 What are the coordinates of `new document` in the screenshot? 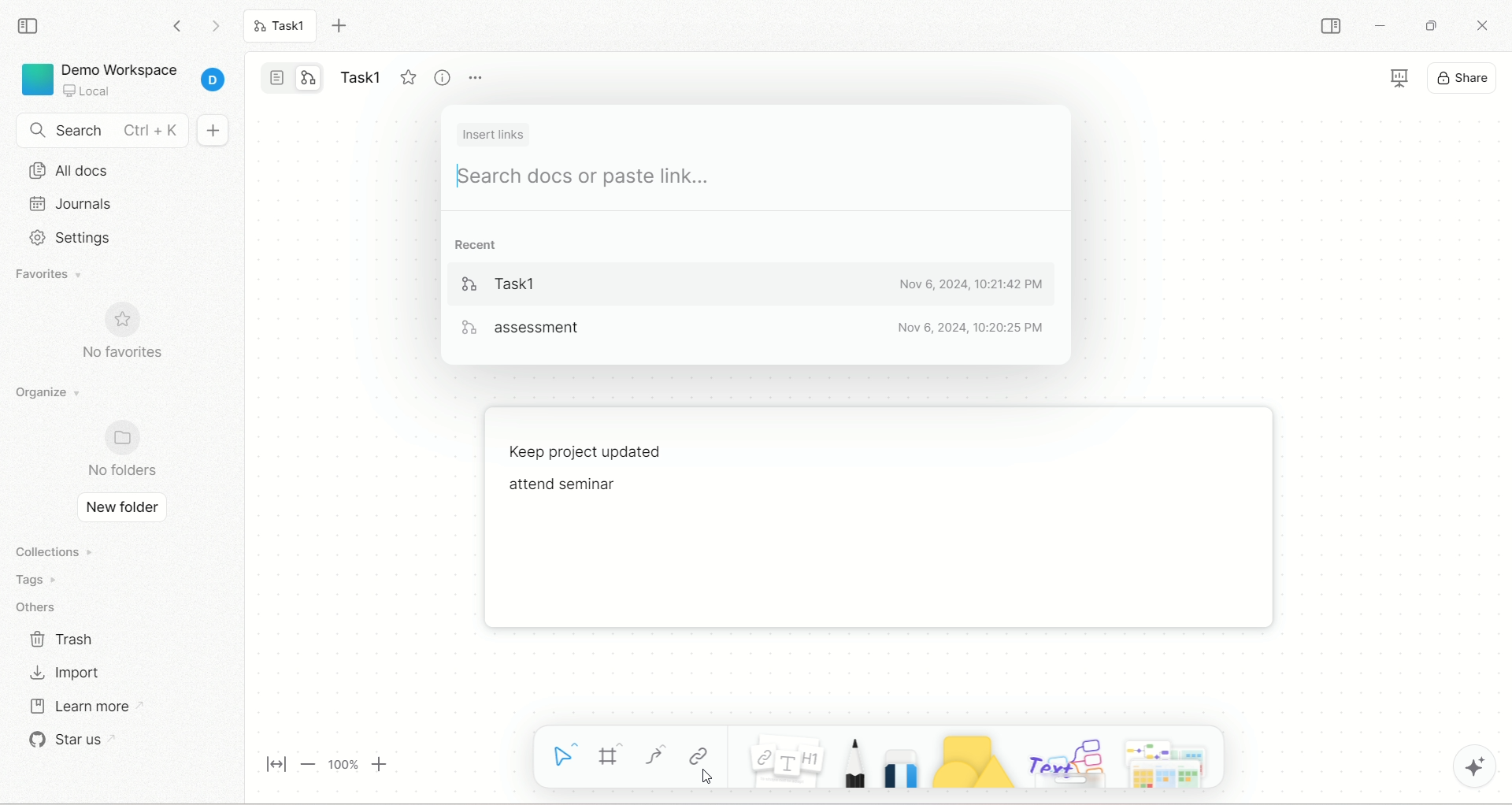 It's located at (213, 132).